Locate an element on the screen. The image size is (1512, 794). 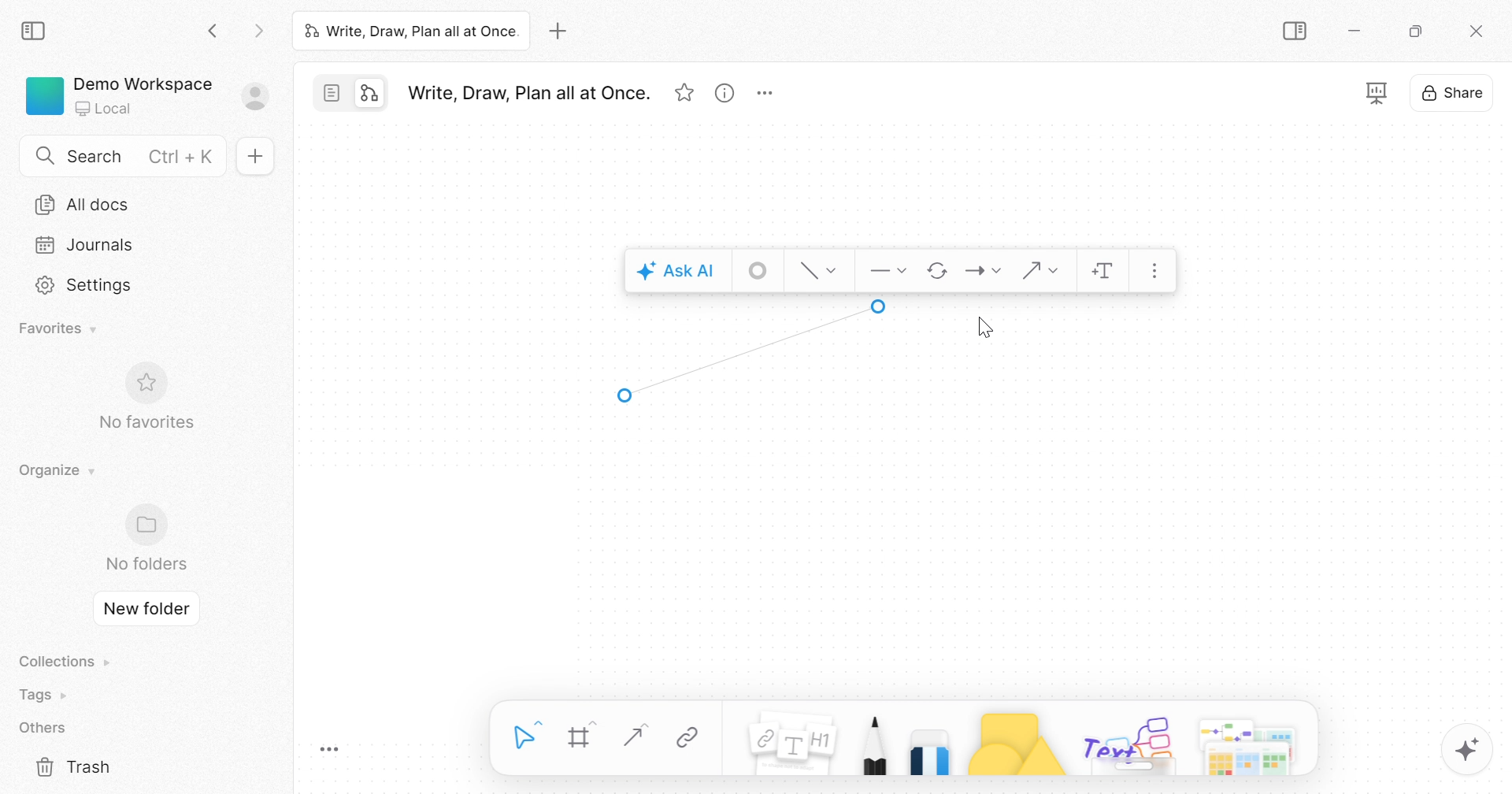
Link is located at coordinates (688, 739).